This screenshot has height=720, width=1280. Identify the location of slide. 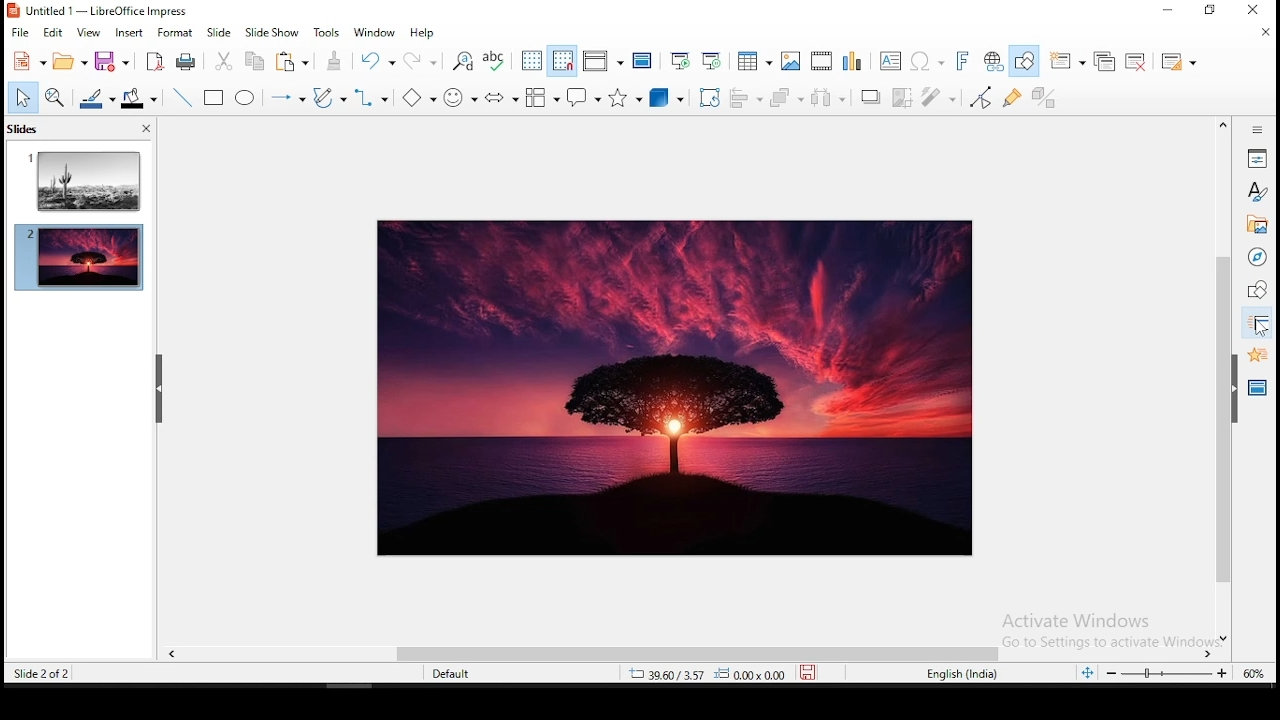
(219, 32).